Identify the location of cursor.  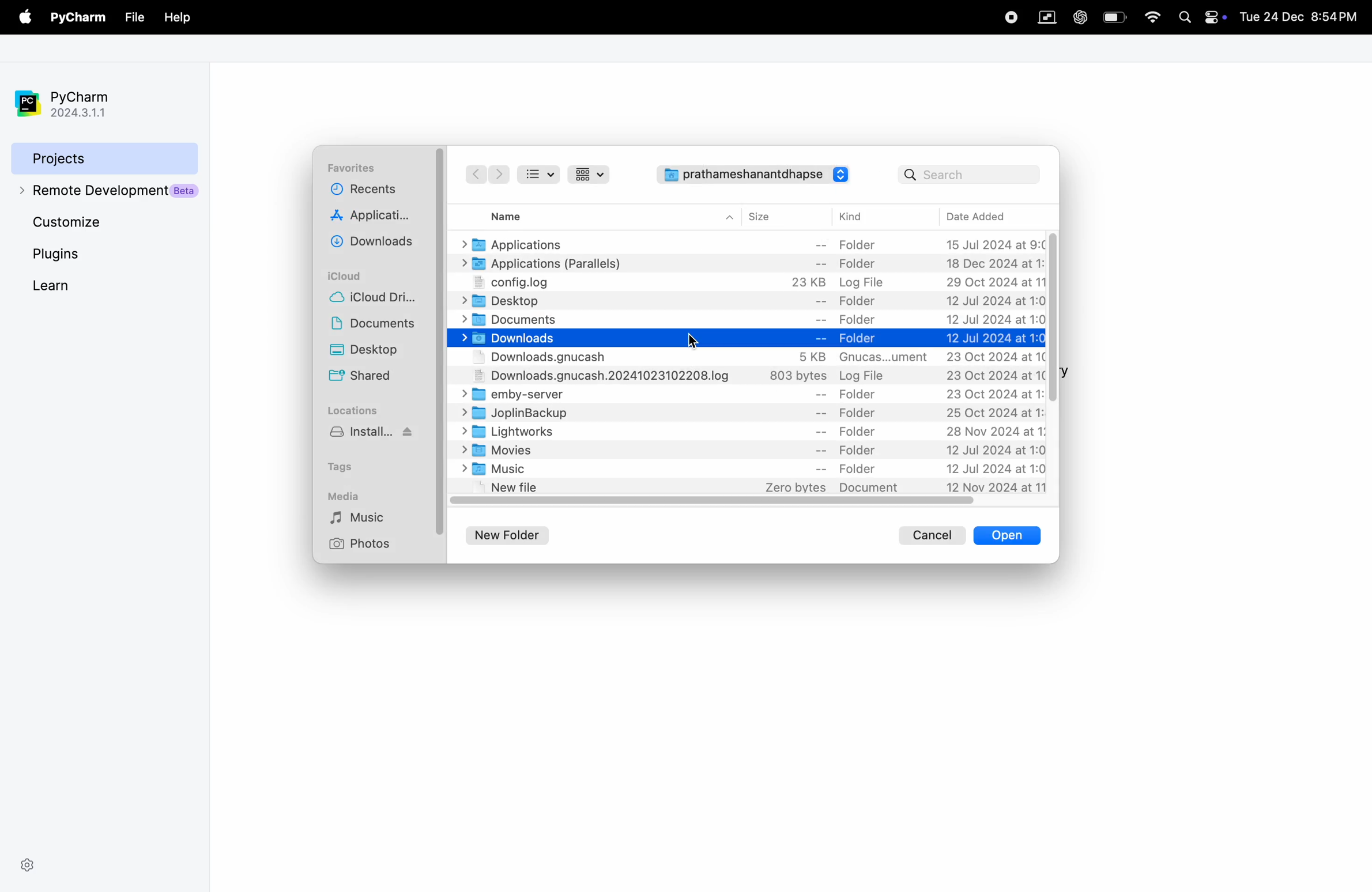
(694, 337).